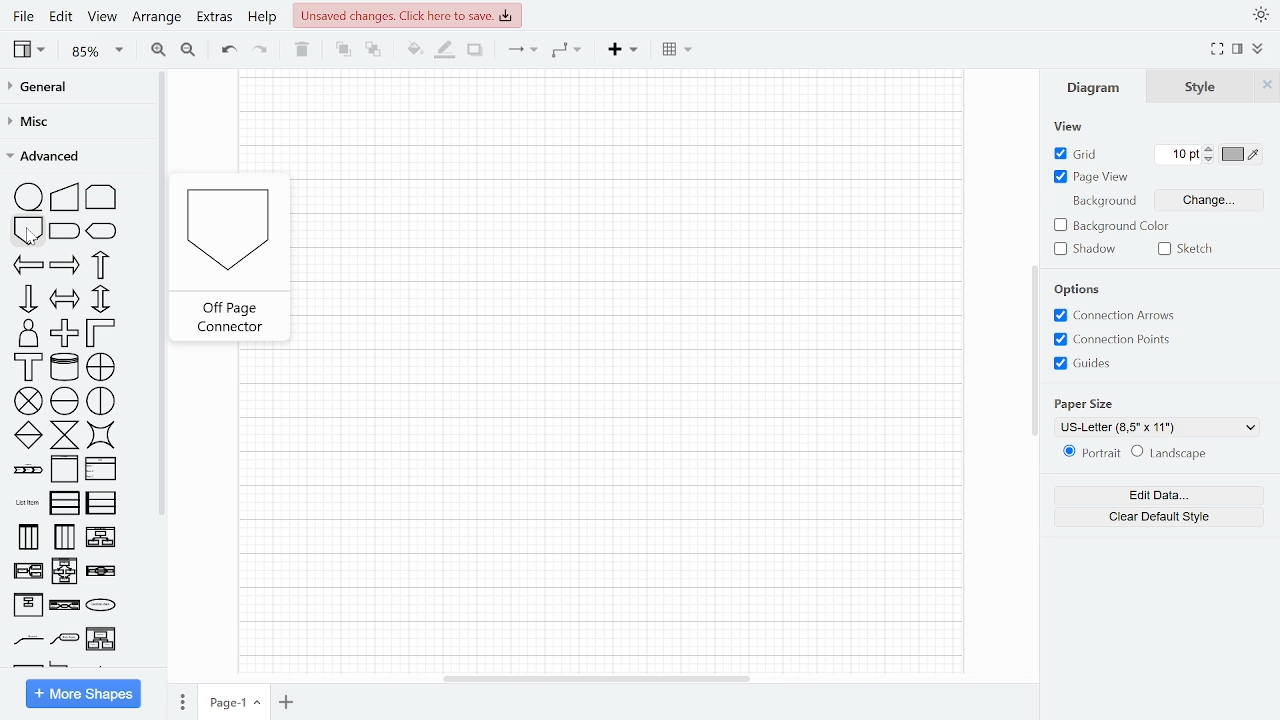  I want to click on orgchart, so click(65, 639).